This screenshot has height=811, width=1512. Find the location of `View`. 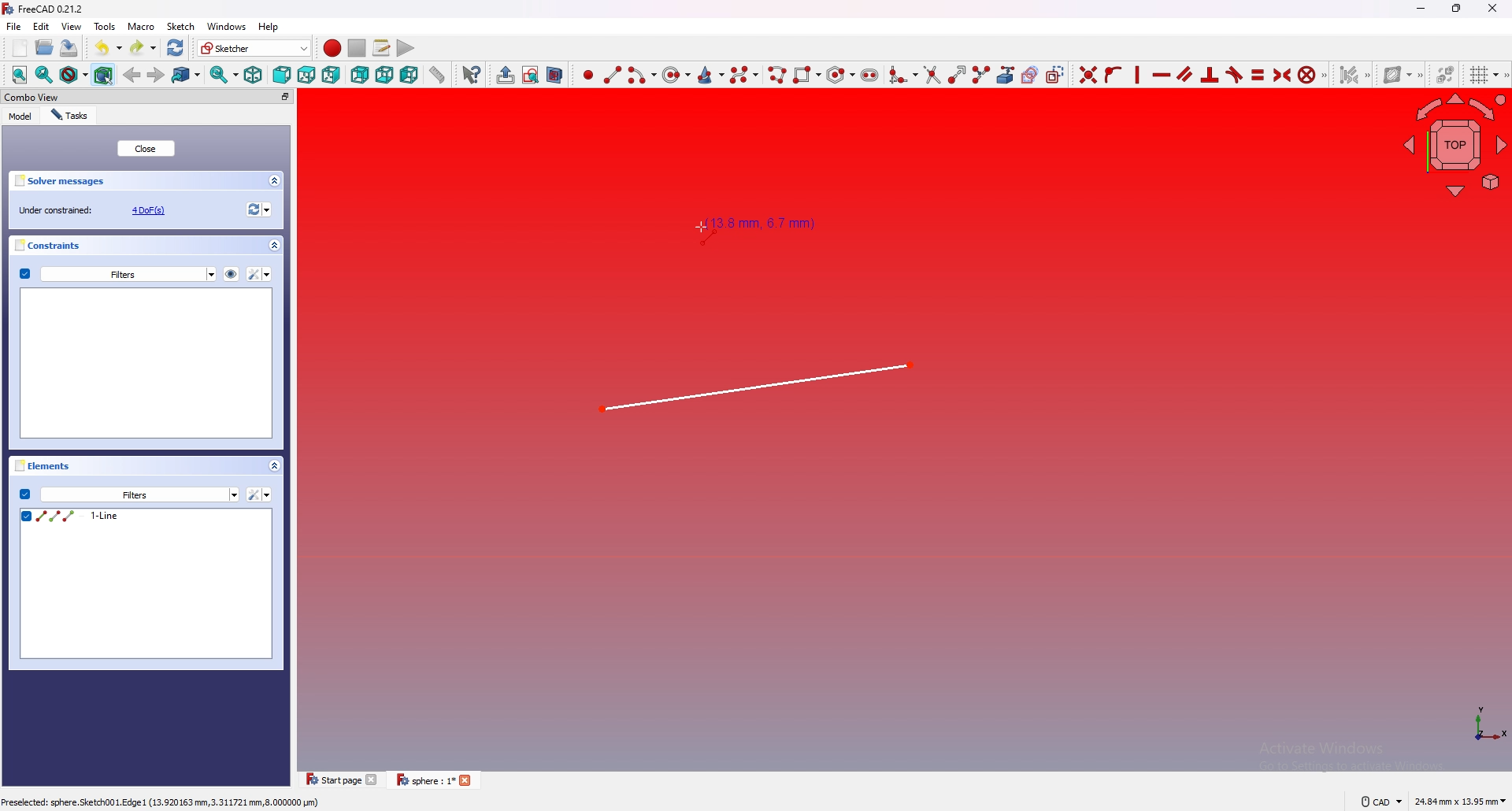

View is located at coordinates (1454, 147).